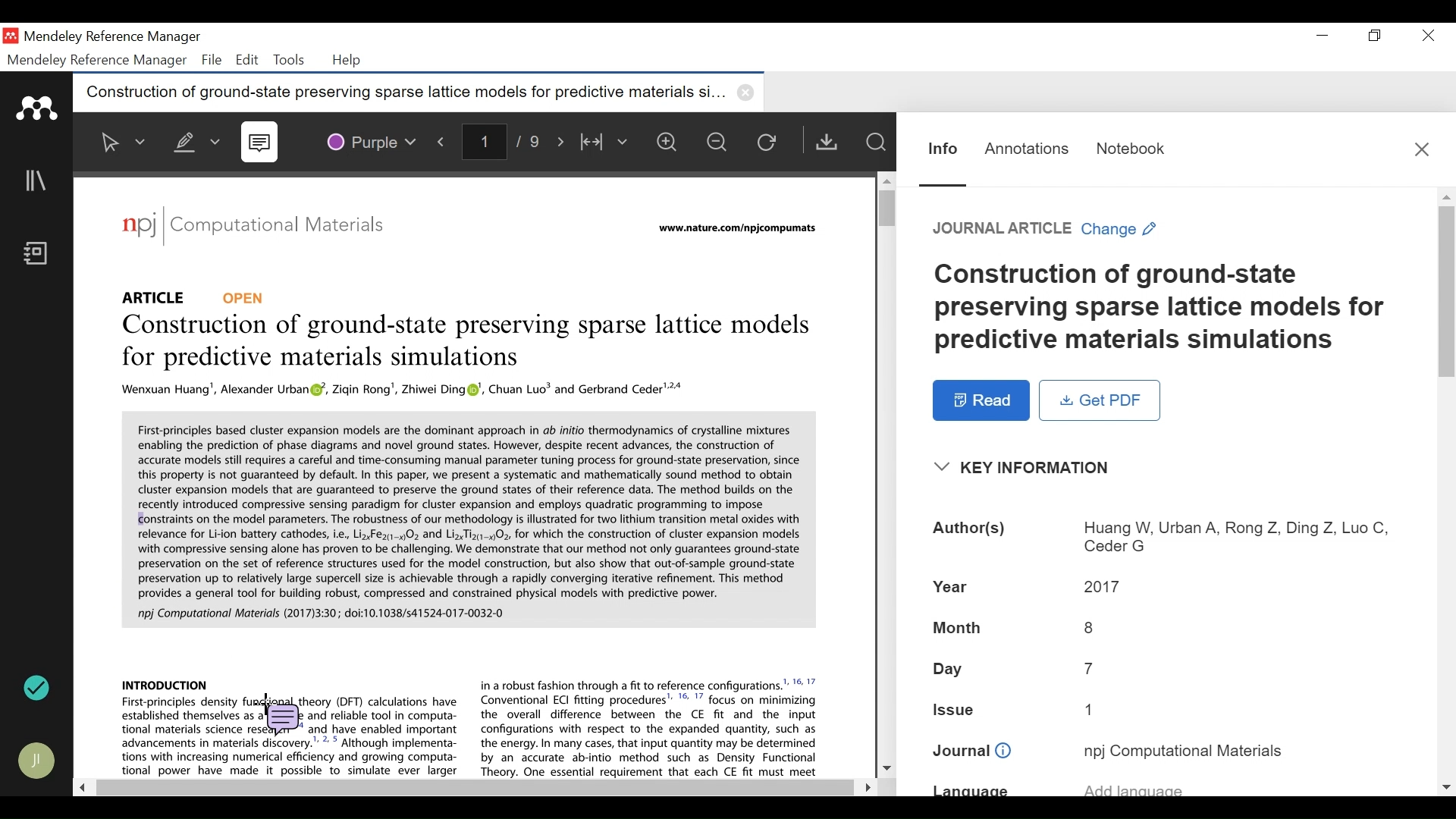 The height and width of the screenshot is (819, 1456). What do you see at coordinates (940, 147) in the screenshot?
I see `Information` at bounding box center [940, 147].